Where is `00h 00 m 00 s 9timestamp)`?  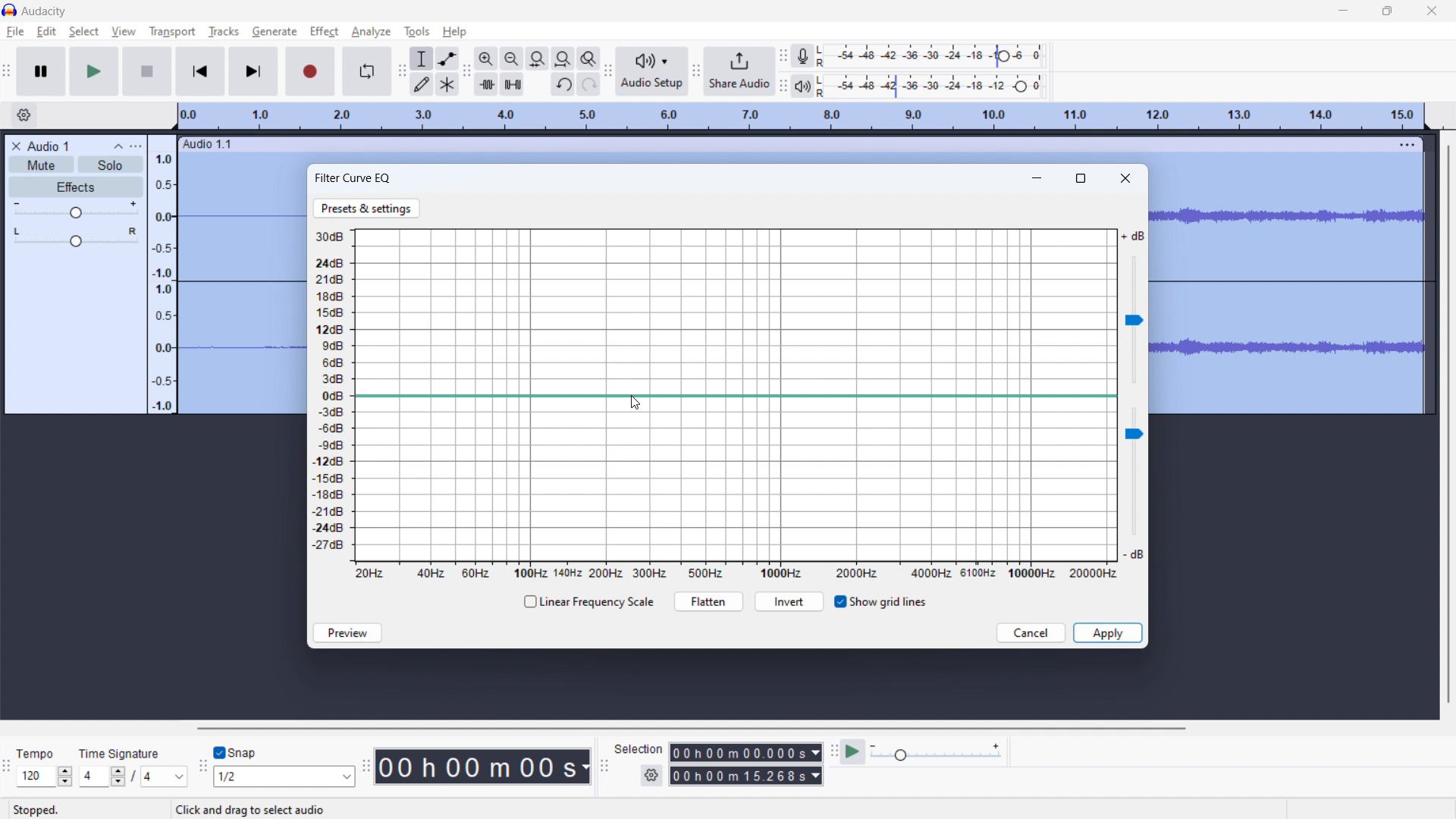
00h 00 m 00 s 9timestamp) is located at coordinates (485, 766).